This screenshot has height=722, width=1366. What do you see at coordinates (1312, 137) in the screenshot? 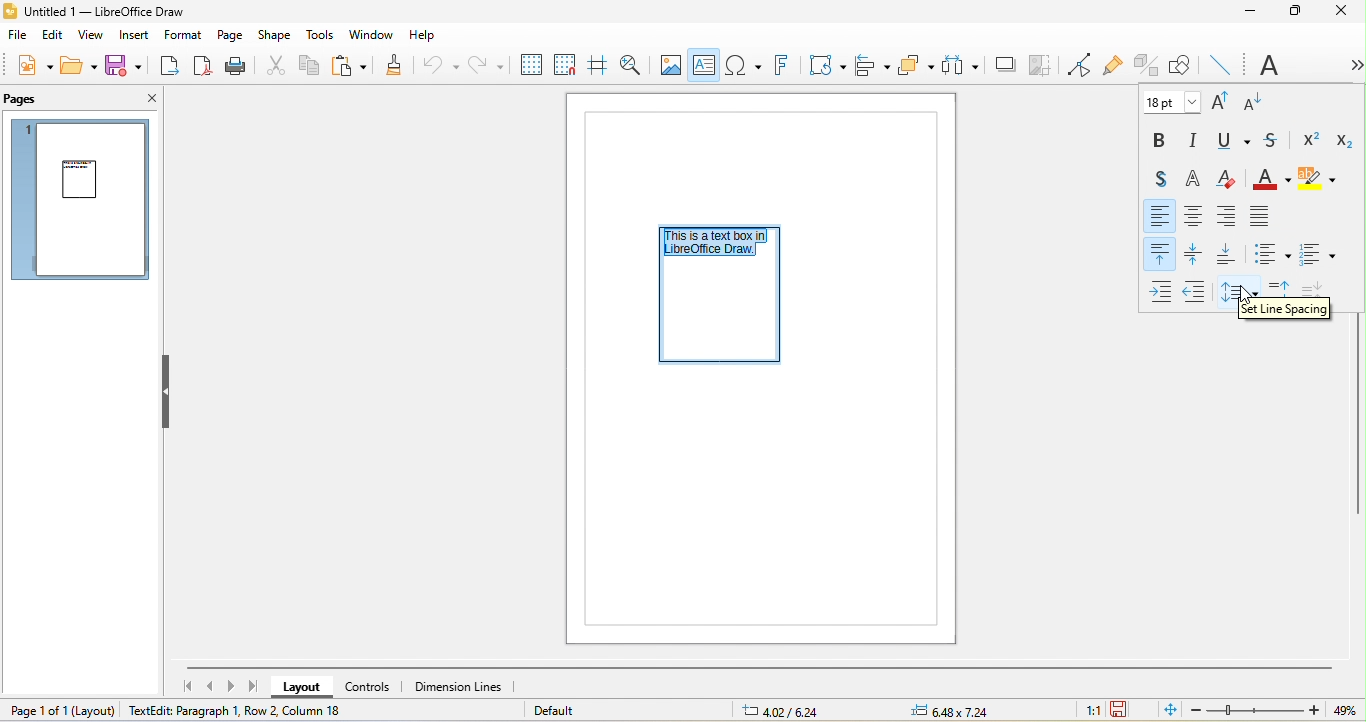
I see `superscript` at bounding box center [1312, 137].